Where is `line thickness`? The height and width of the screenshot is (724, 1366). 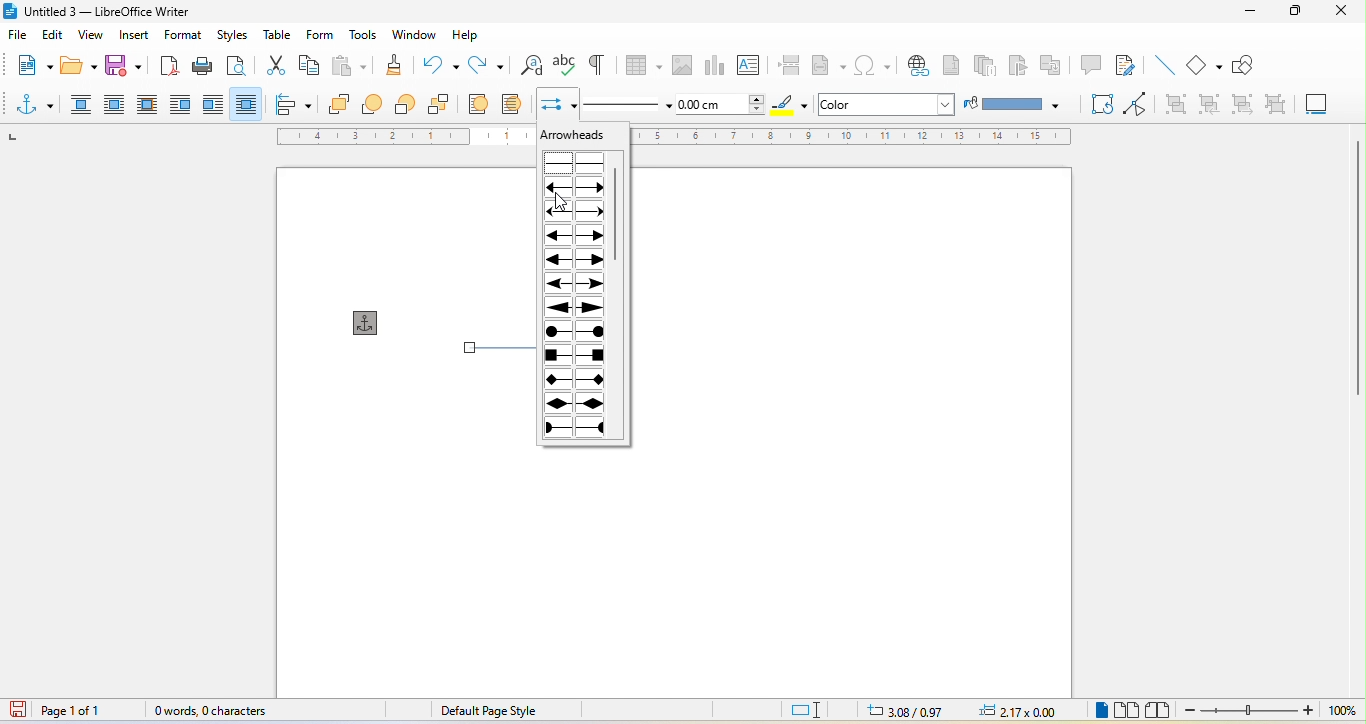
line thickness is located at coordinates (721, 103).